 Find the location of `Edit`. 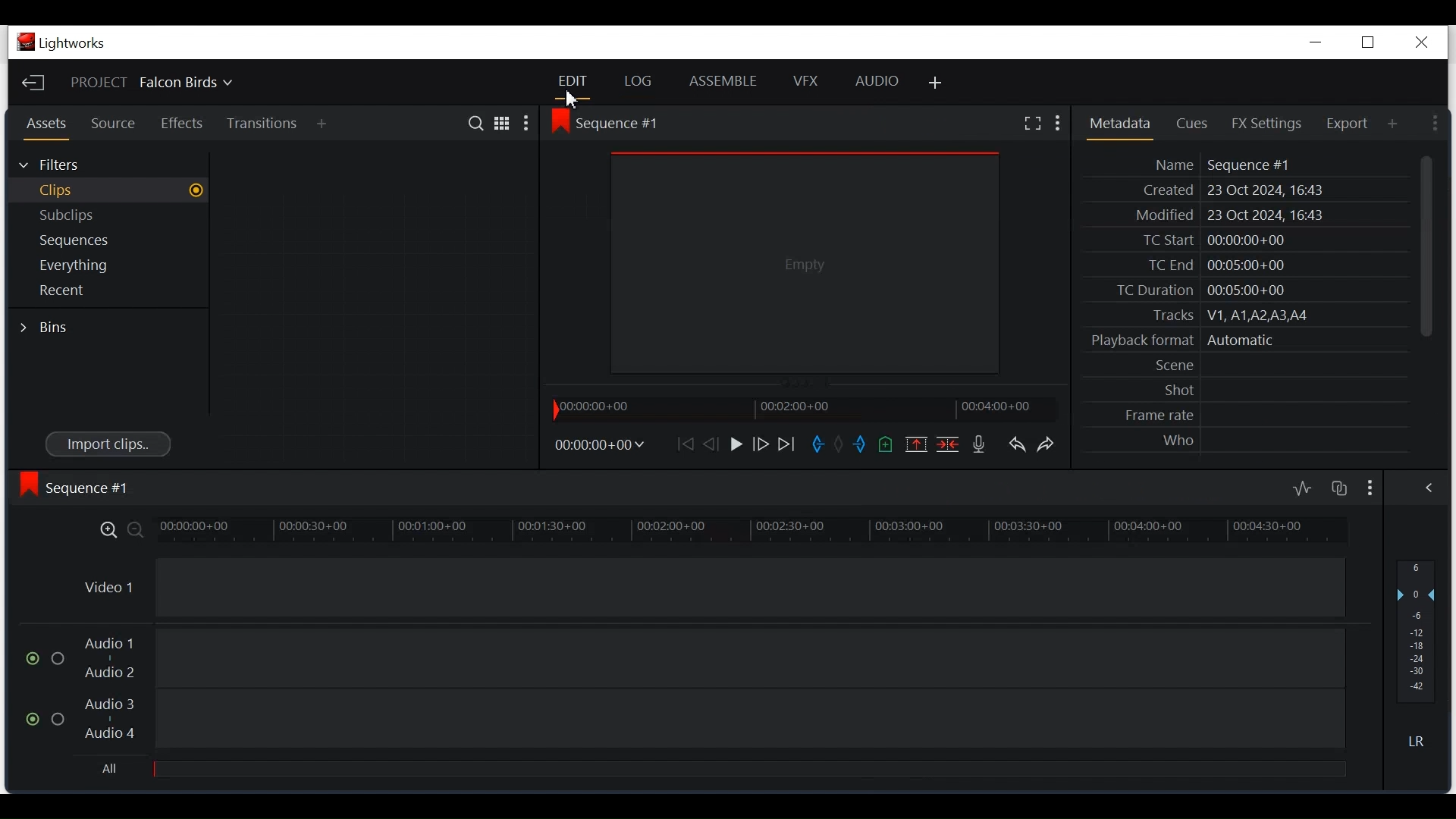

Edit is located at coordinates (574, 83).